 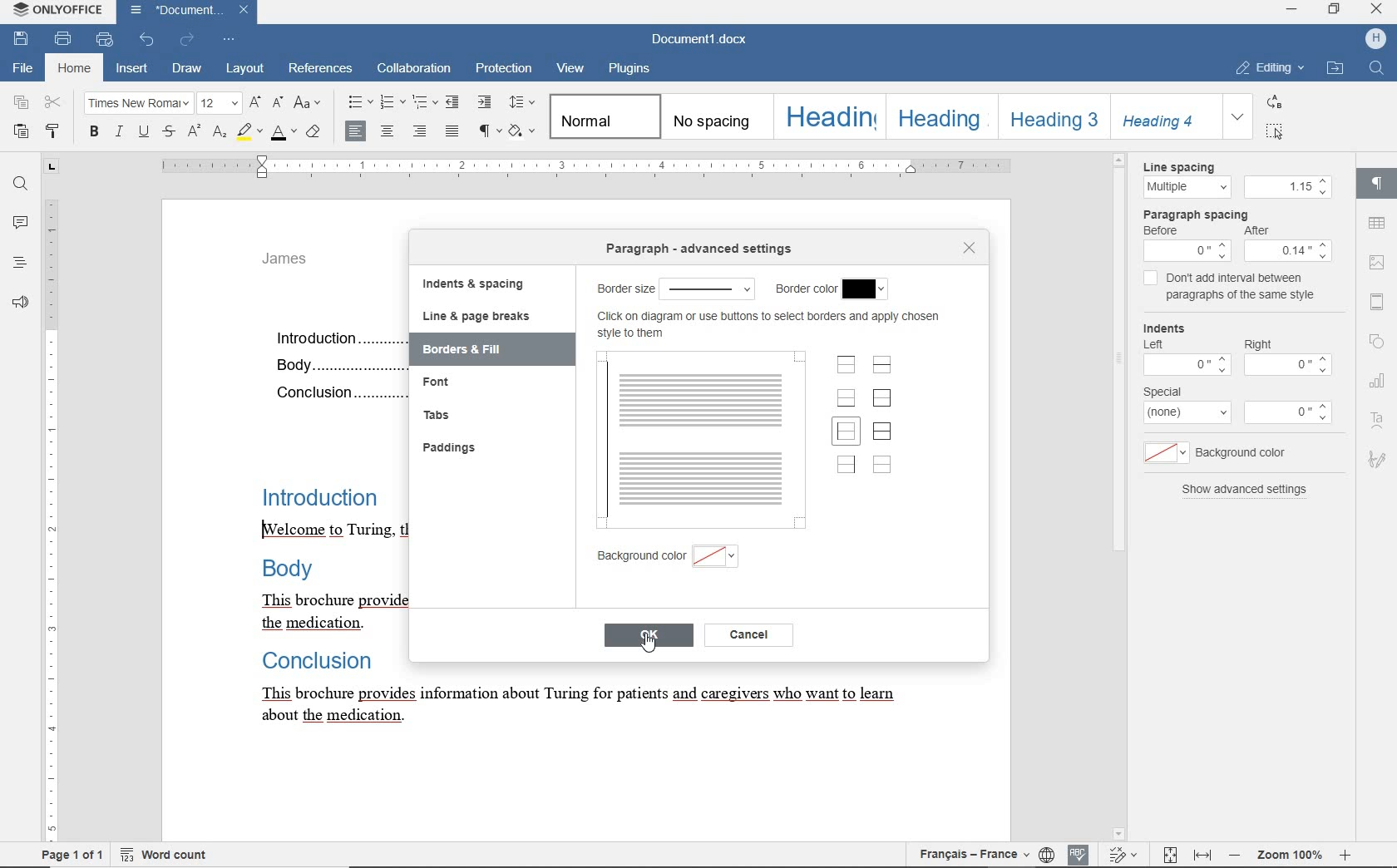 What do you see at coordinates (471, 284) in the screenshot?
I see `indents & spacing` at bounding box center [471, 284].